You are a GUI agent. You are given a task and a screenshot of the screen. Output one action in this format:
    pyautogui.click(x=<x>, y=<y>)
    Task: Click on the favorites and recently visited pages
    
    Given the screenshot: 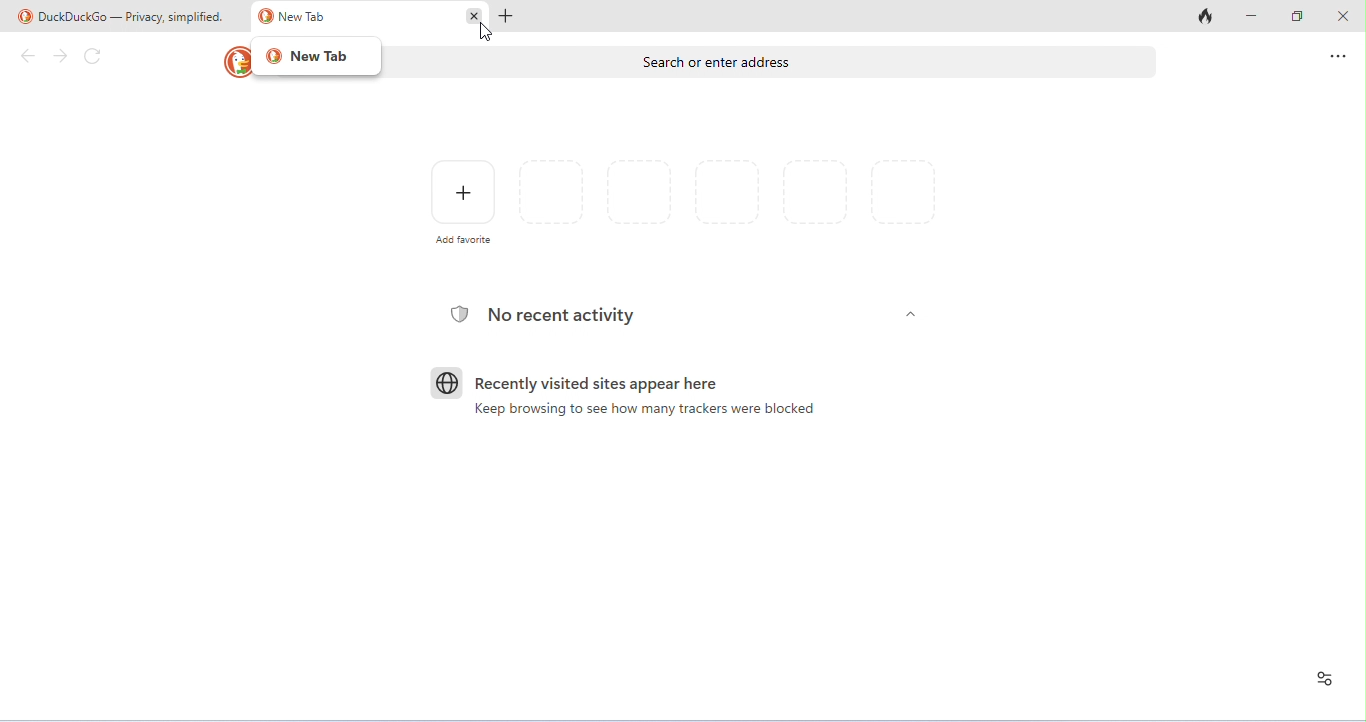 What is the action you would take?
    pyautogui.click(x=641, y=190)
    